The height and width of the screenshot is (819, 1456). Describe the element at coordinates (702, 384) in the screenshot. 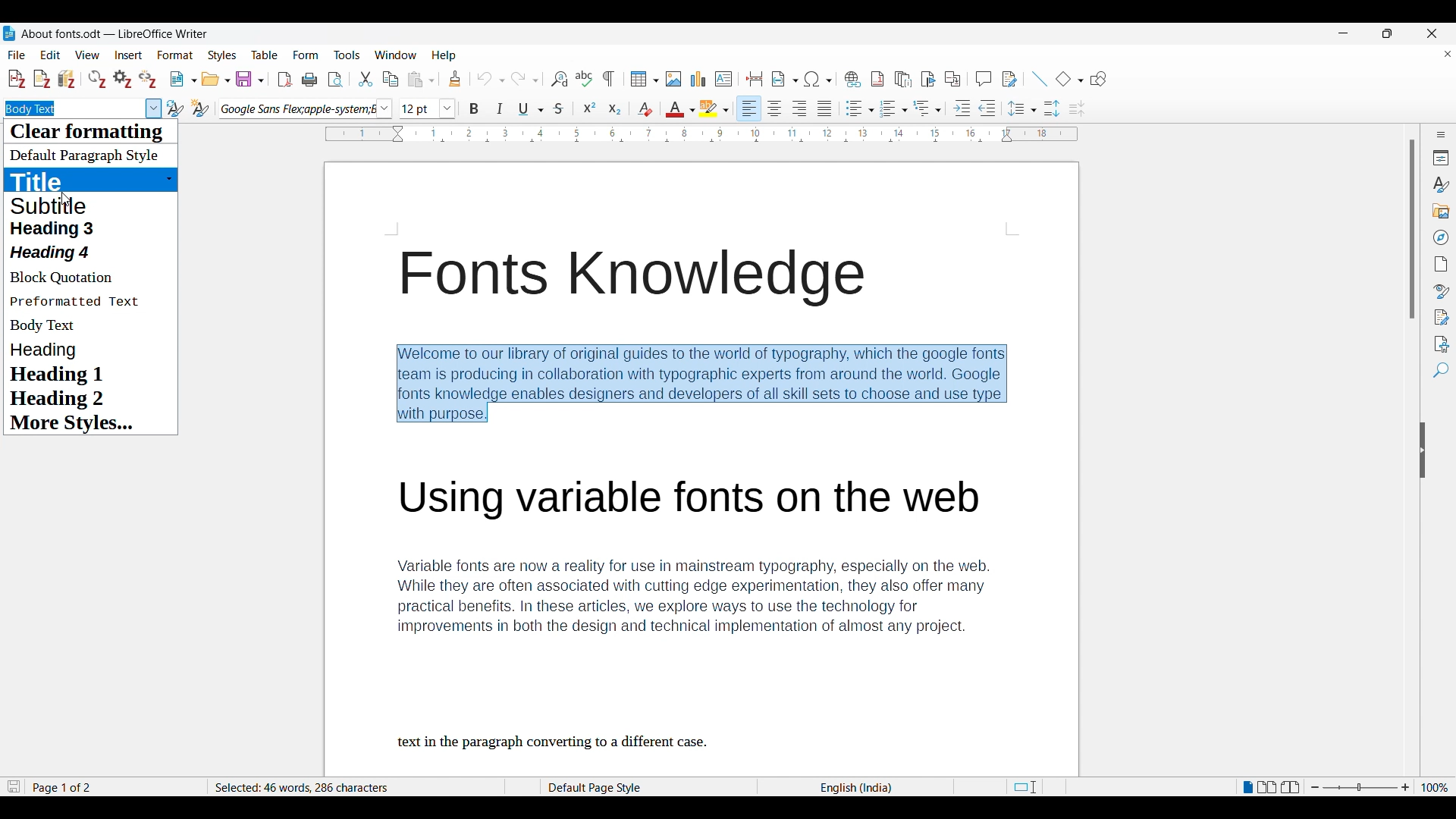

I see `Description of Fonts knowledge` at that location.